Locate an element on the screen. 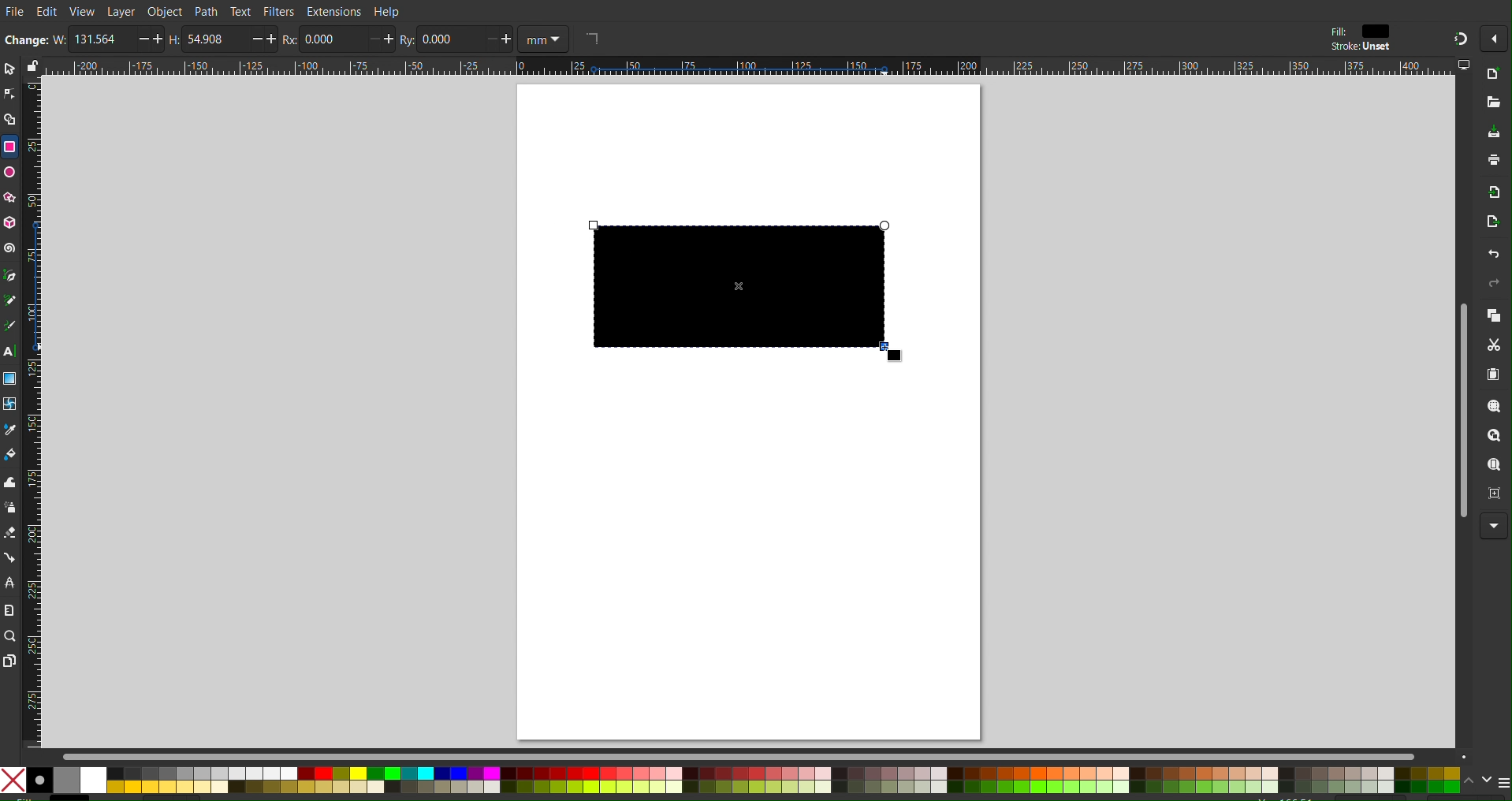  Fill Color is located at coordinates (10, 457).